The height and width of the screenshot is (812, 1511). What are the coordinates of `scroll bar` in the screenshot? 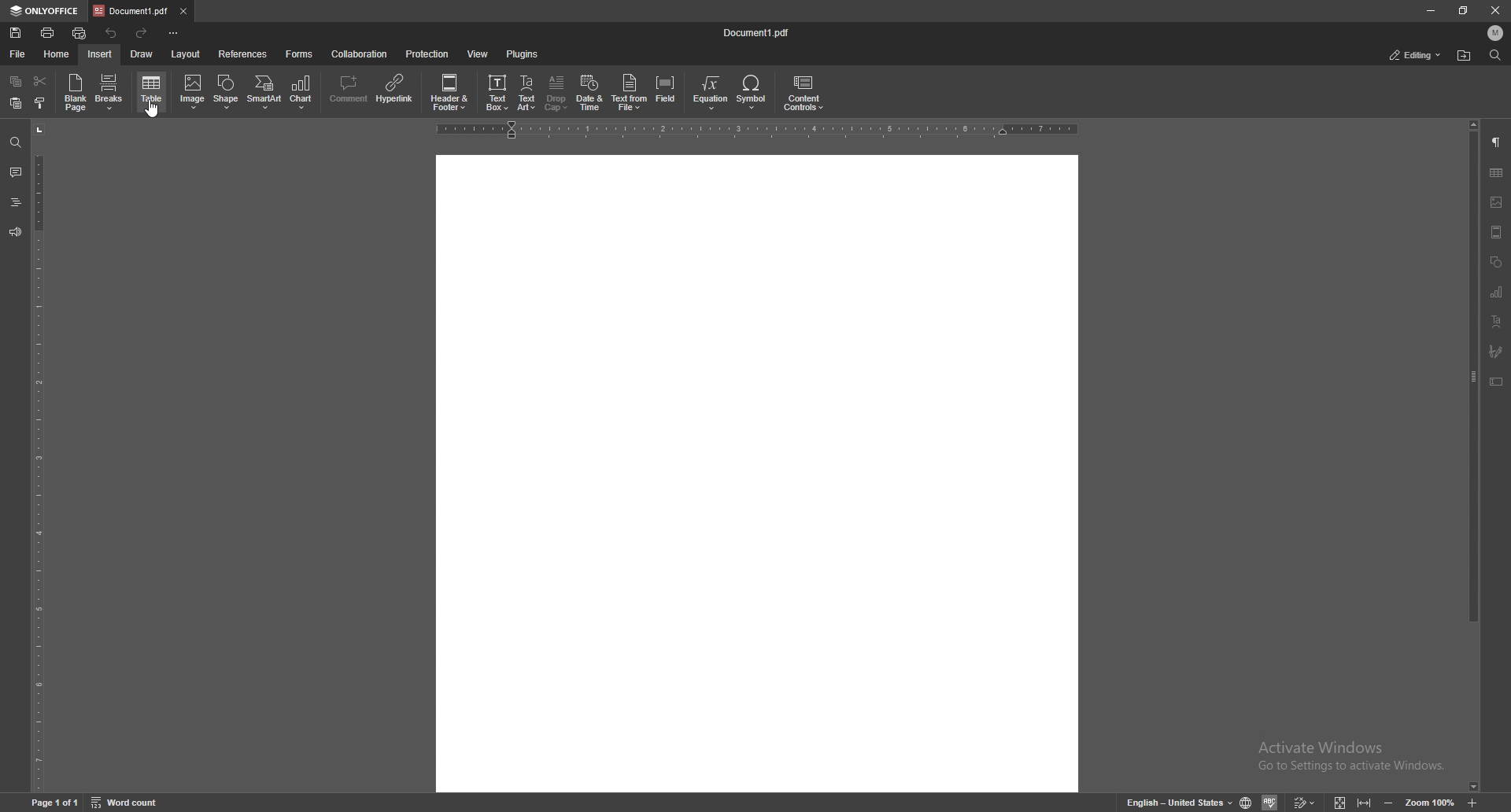 It's located at (1474, 456).